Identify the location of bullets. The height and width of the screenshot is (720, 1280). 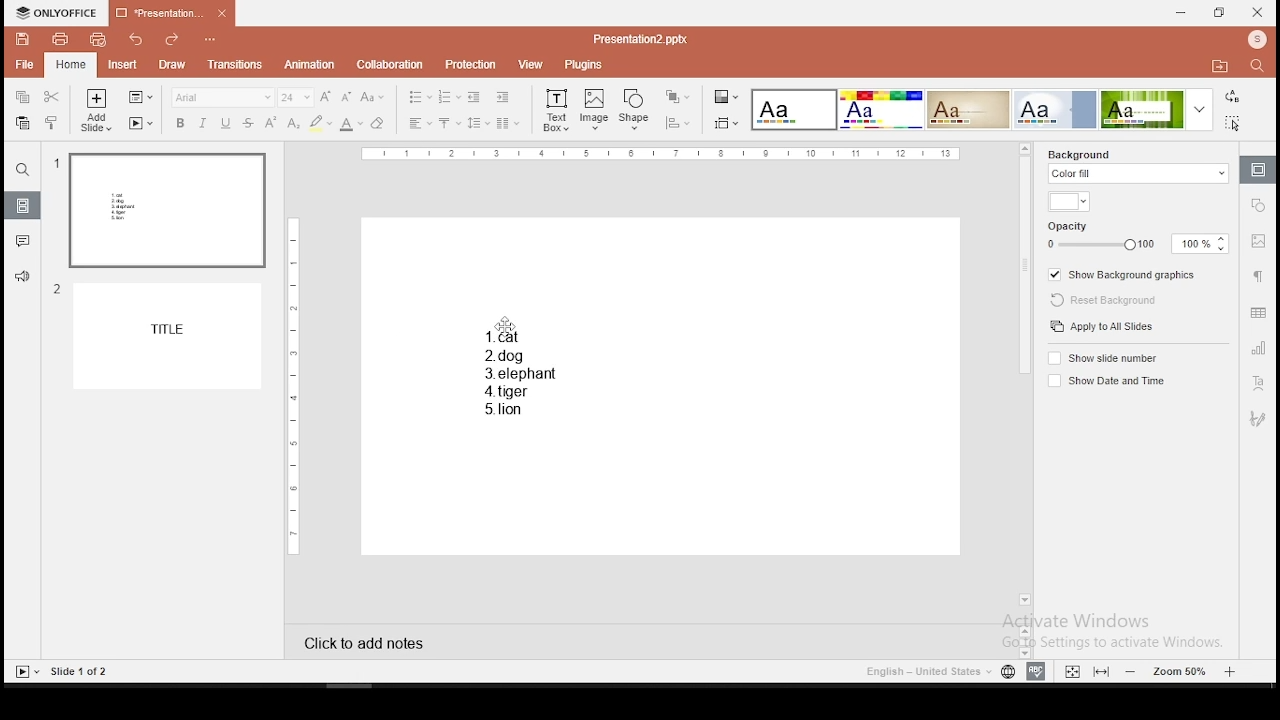
(420, 98).